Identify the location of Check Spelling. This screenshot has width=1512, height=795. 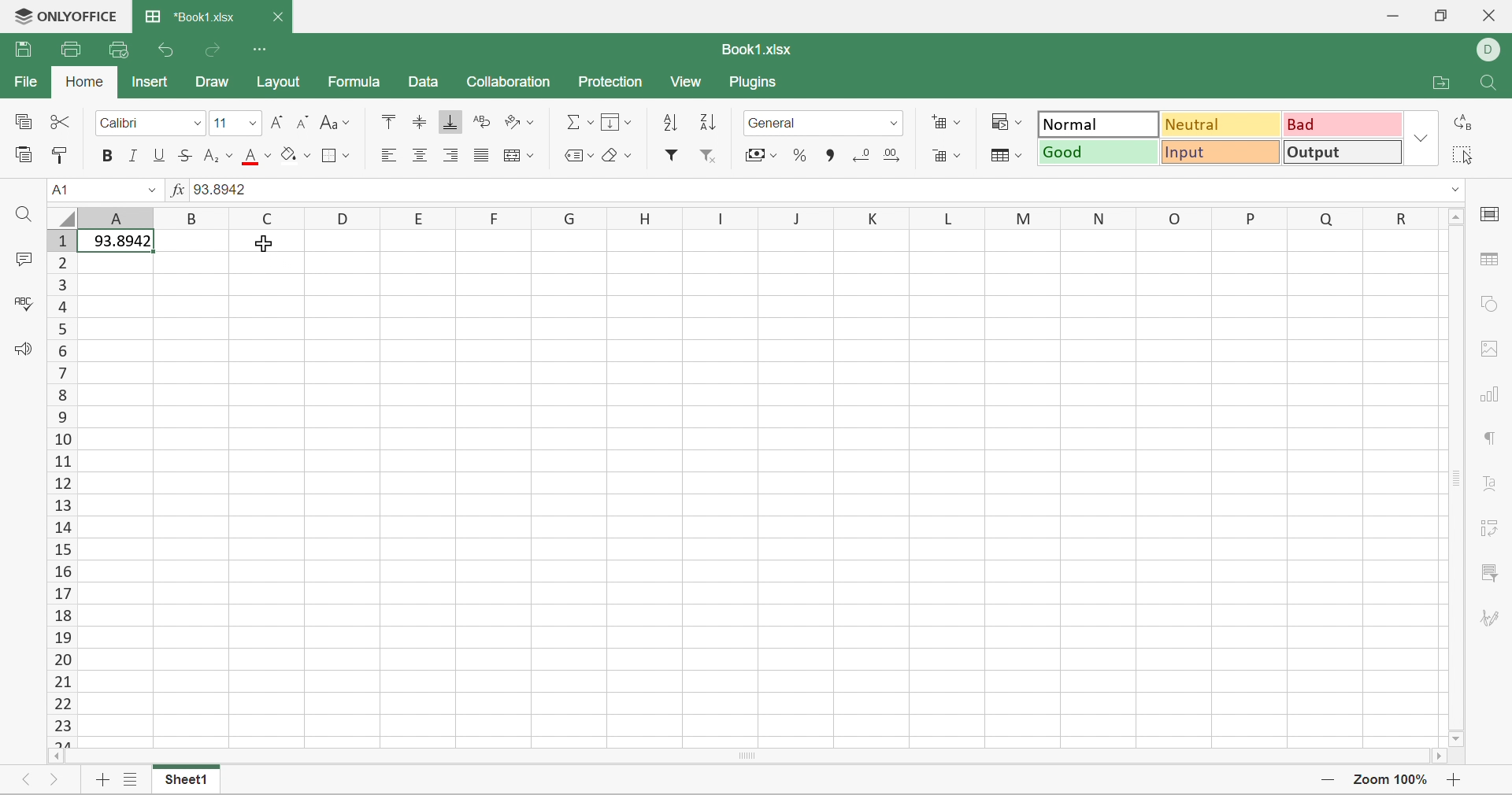
(24, 305).